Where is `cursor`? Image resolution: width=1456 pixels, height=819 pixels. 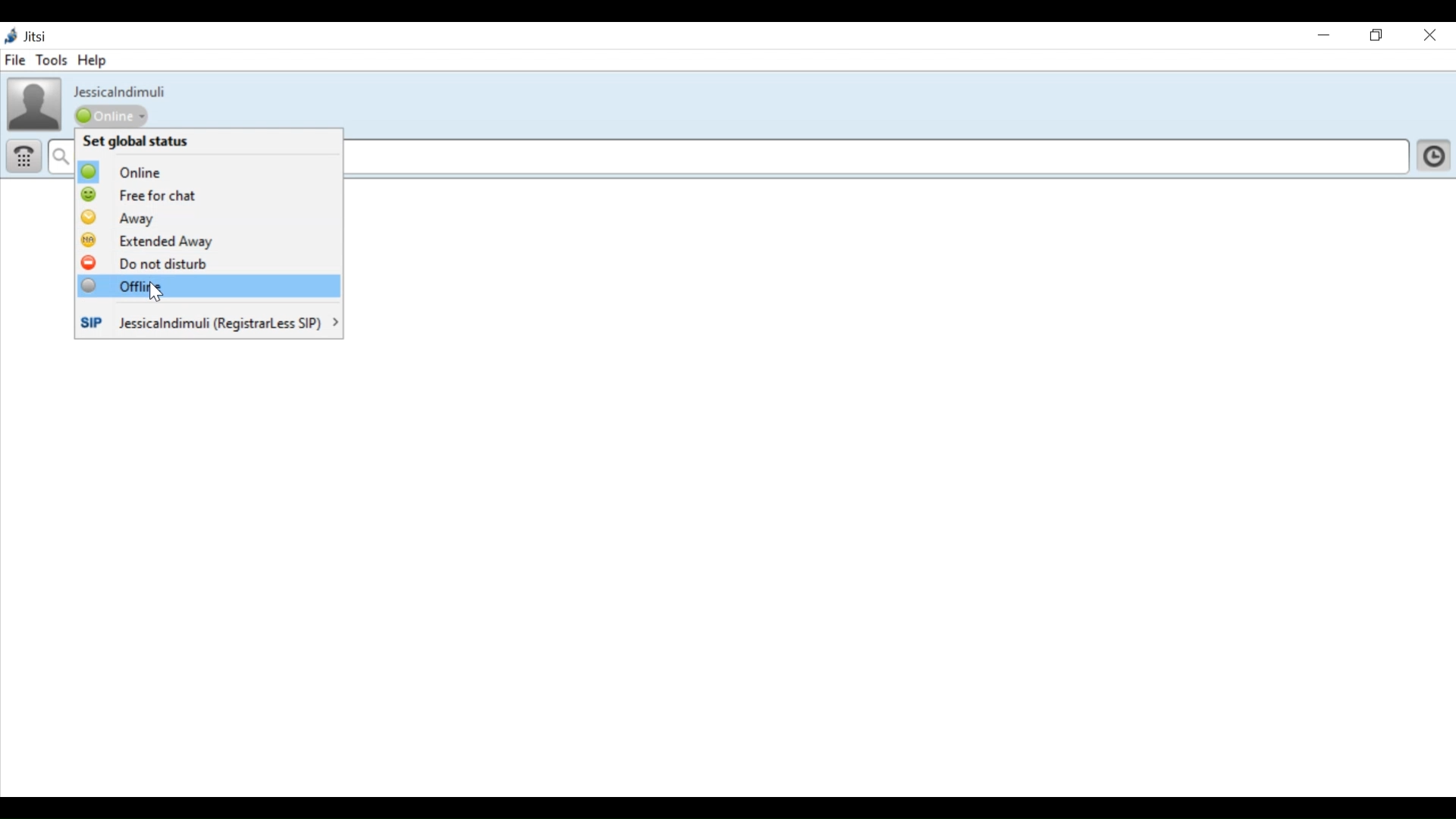 cursor is located at coordinates (158, 293).